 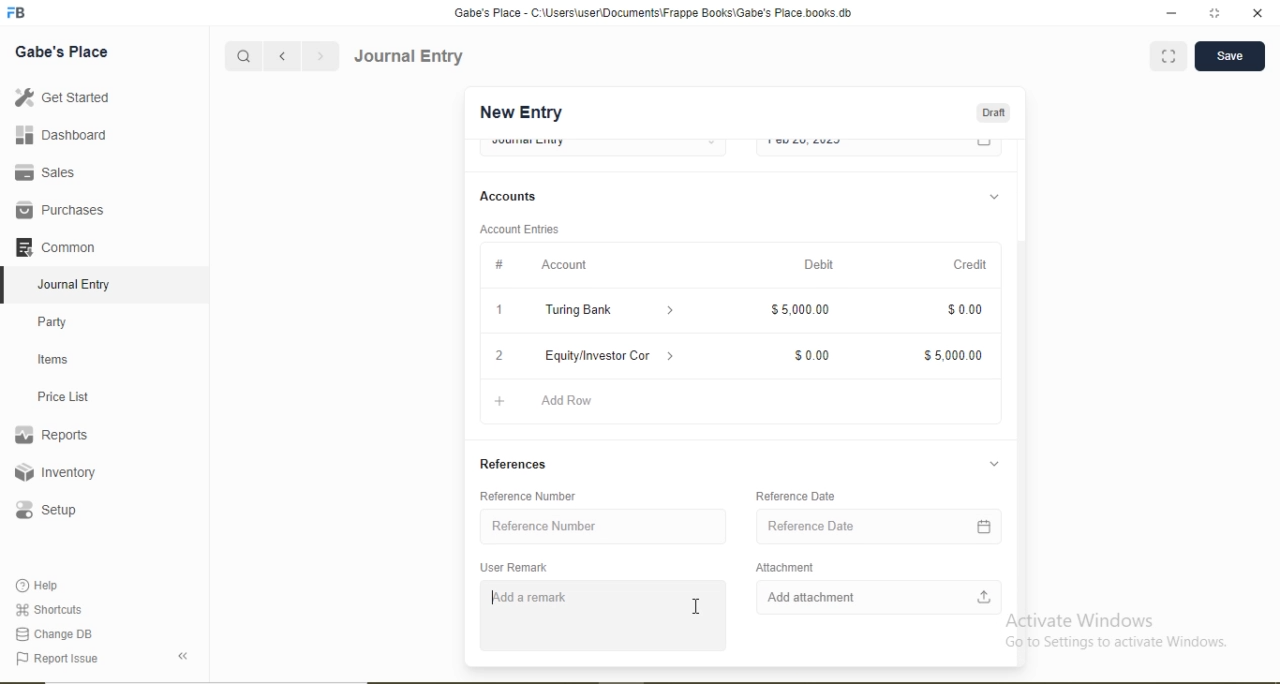 I want to click on Party, so click(x=53, y=324).